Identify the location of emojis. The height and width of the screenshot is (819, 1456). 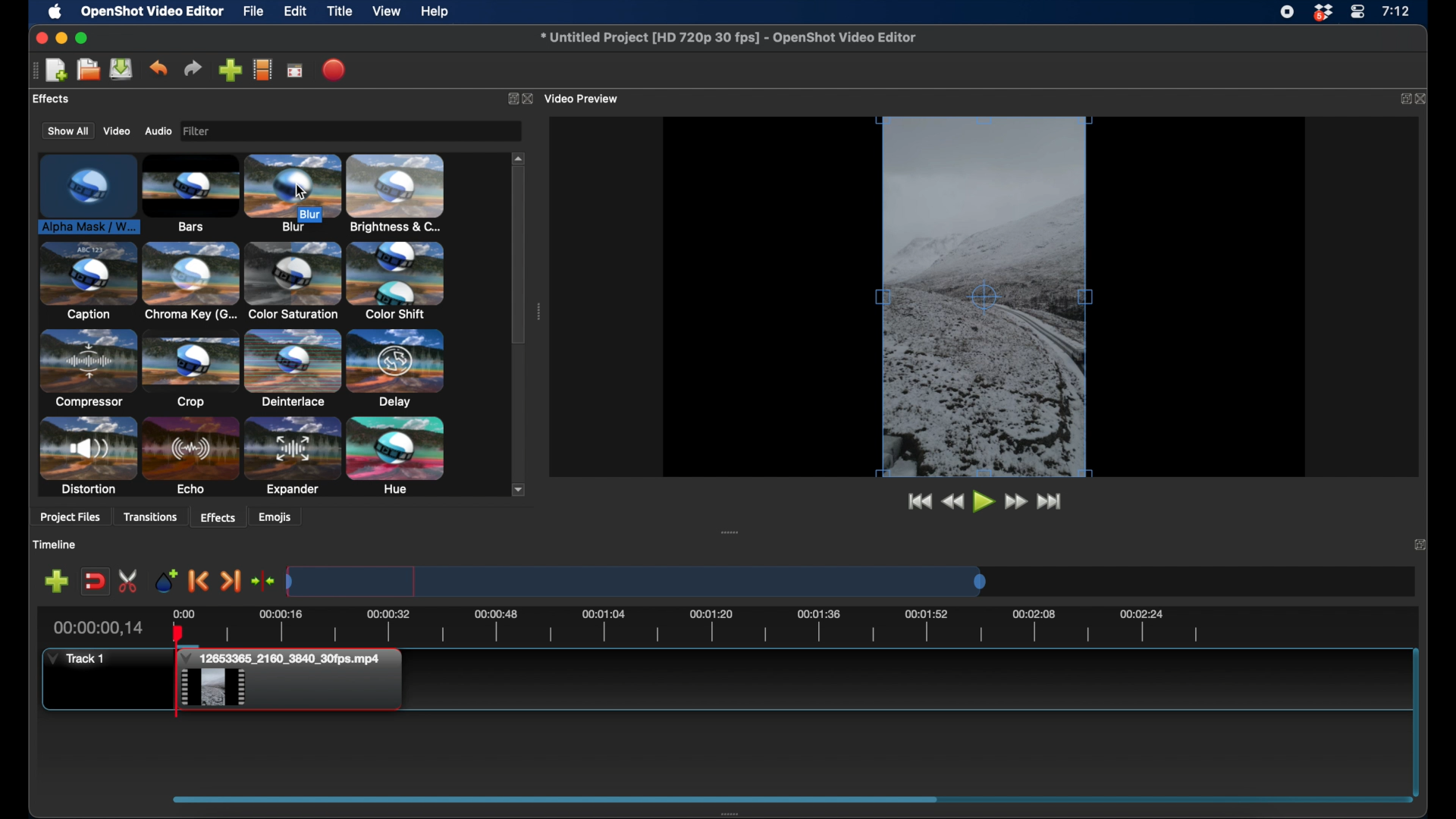
(276, 516).